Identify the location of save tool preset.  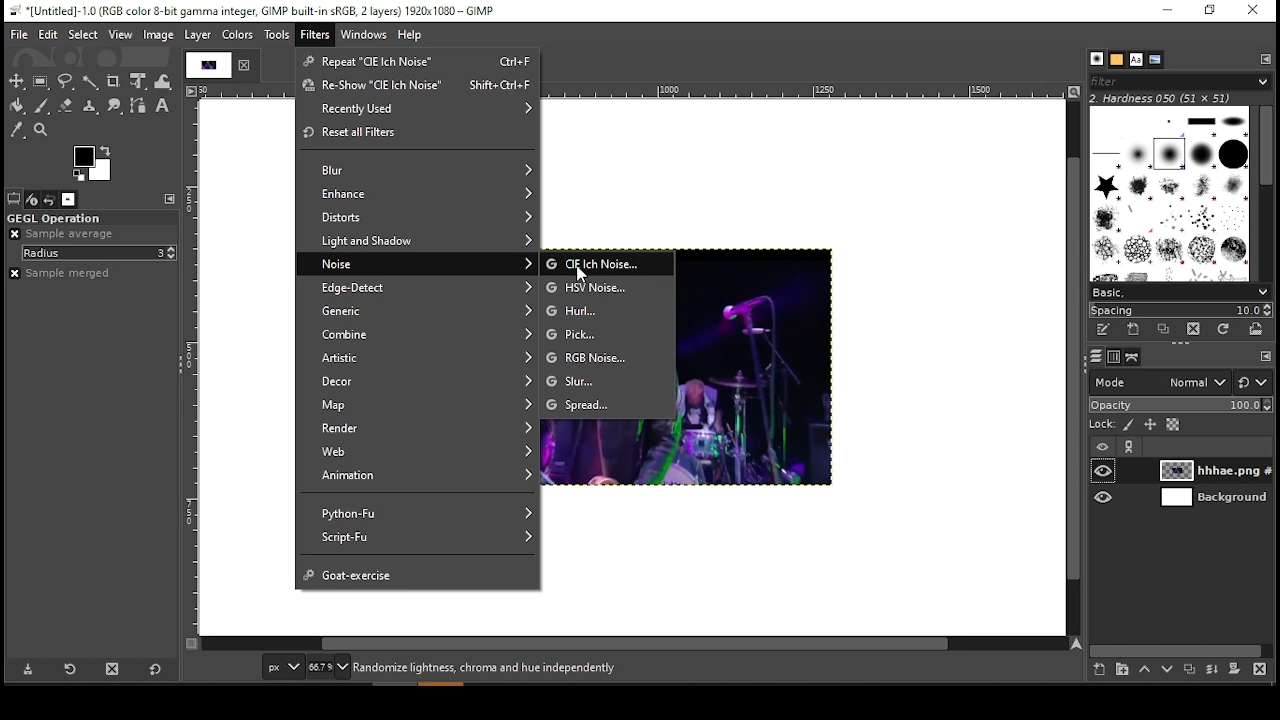
(25, 670).